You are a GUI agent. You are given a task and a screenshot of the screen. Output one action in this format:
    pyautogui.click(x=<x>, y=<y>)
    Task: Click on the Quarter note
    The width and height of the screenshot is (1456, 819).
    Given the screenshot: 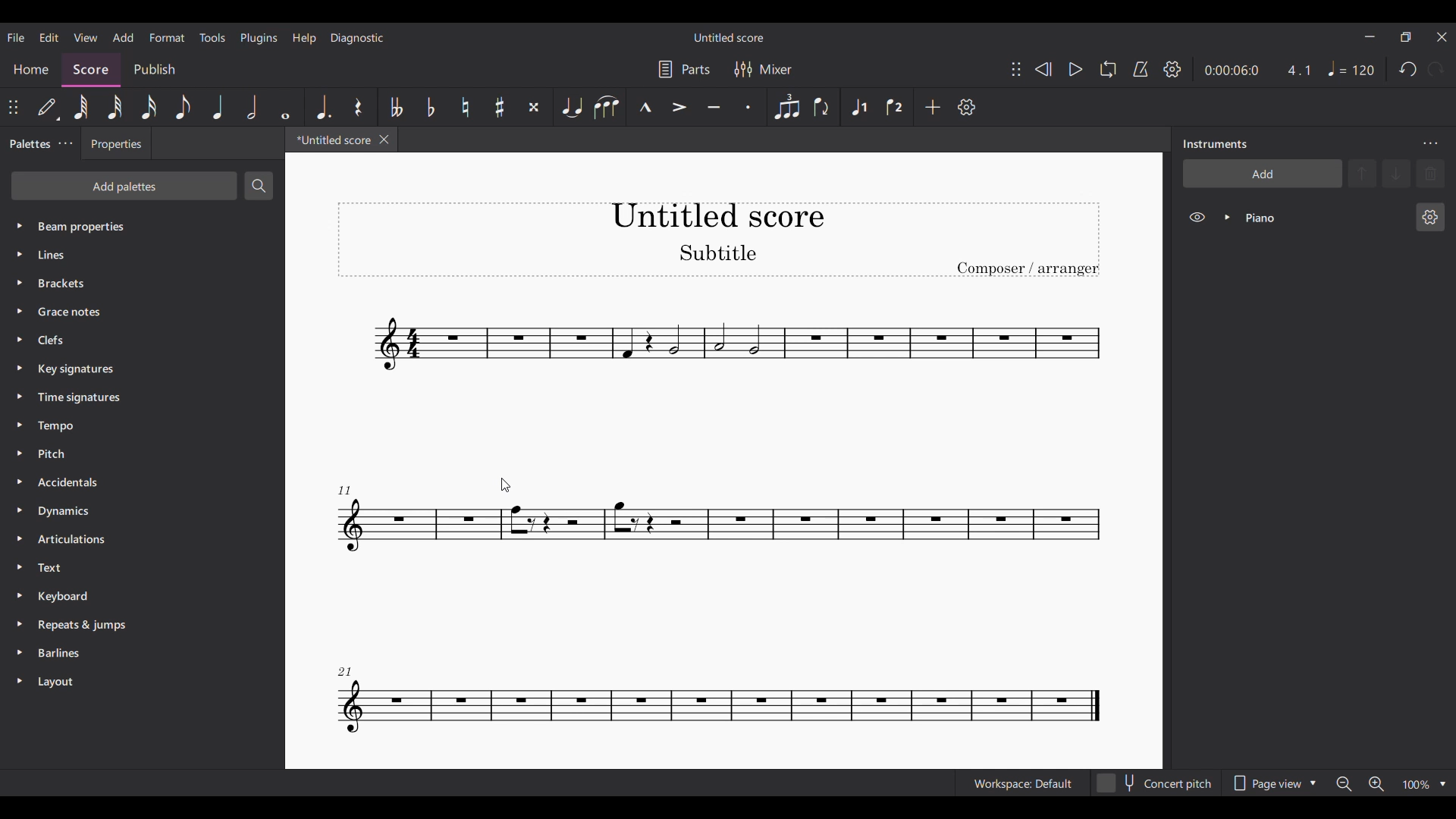 What is the action you would take?
    pyautogui.click(x=218, y=107)
    